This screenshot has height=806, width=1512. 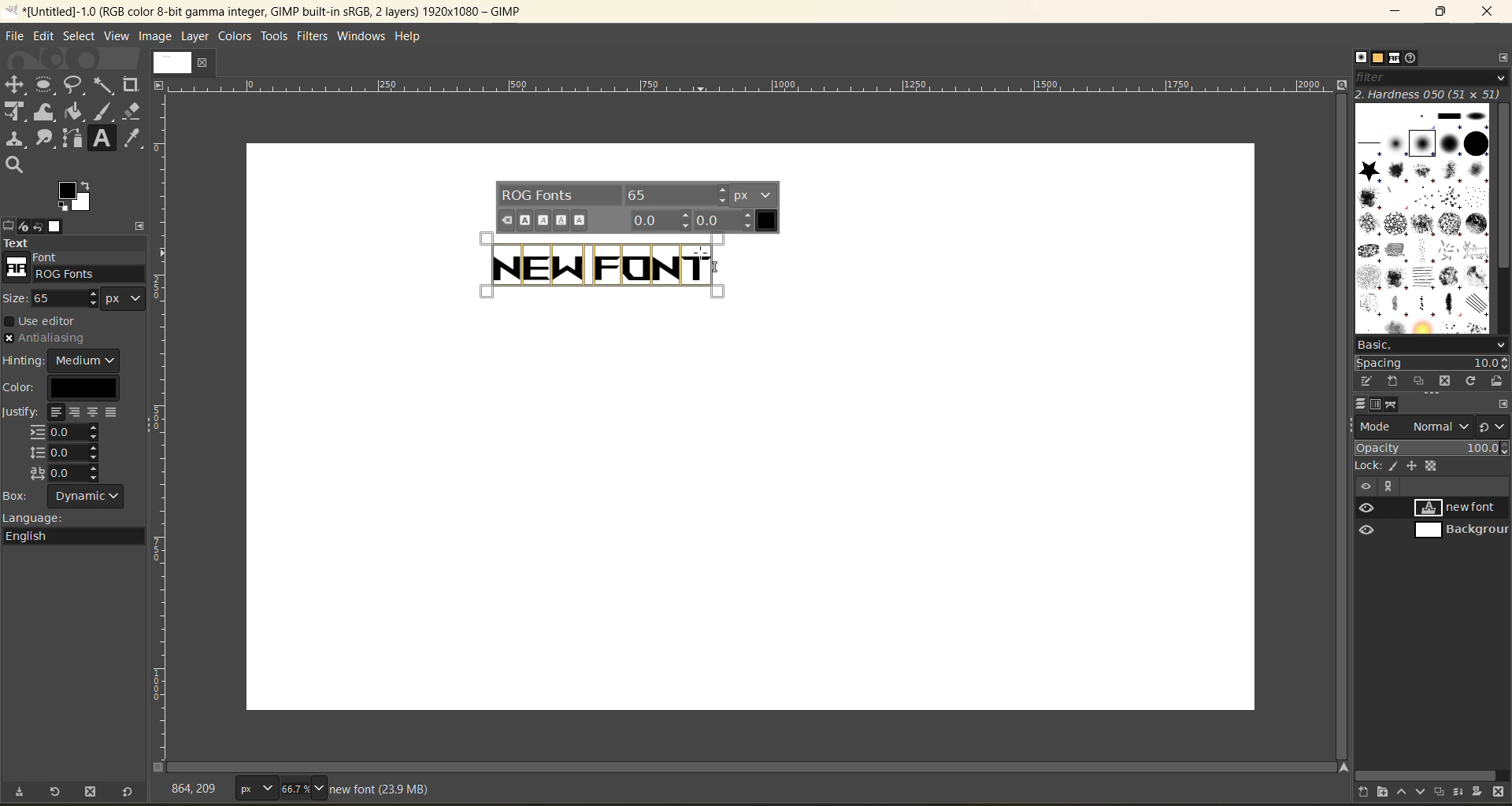 I want to click on delete this layer, so click(x=1499, y=793).